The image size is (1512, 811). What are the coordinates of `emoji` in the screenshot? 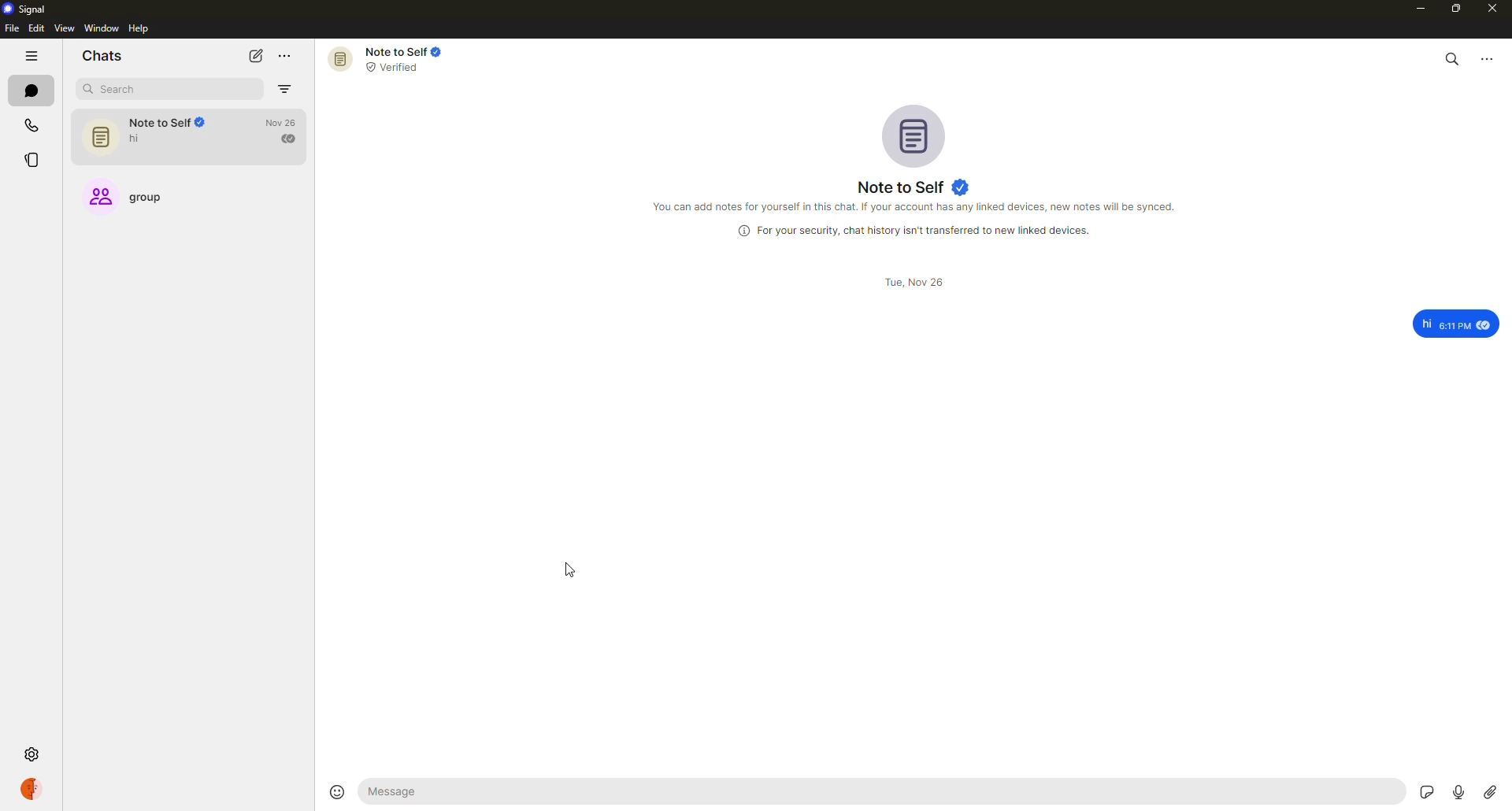 It's located at (336, 791).